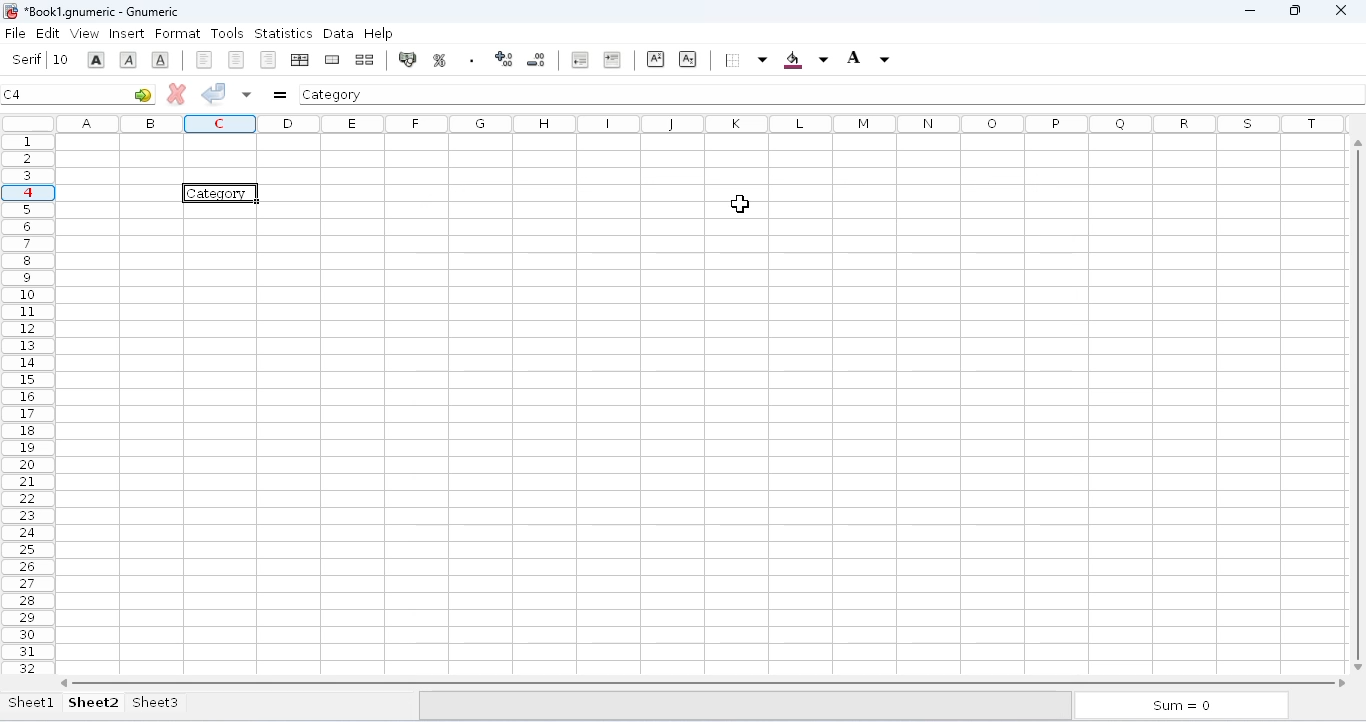  Describe the element at coordinates (94, 702) in the screenshot. I see `sheet2` at that location.